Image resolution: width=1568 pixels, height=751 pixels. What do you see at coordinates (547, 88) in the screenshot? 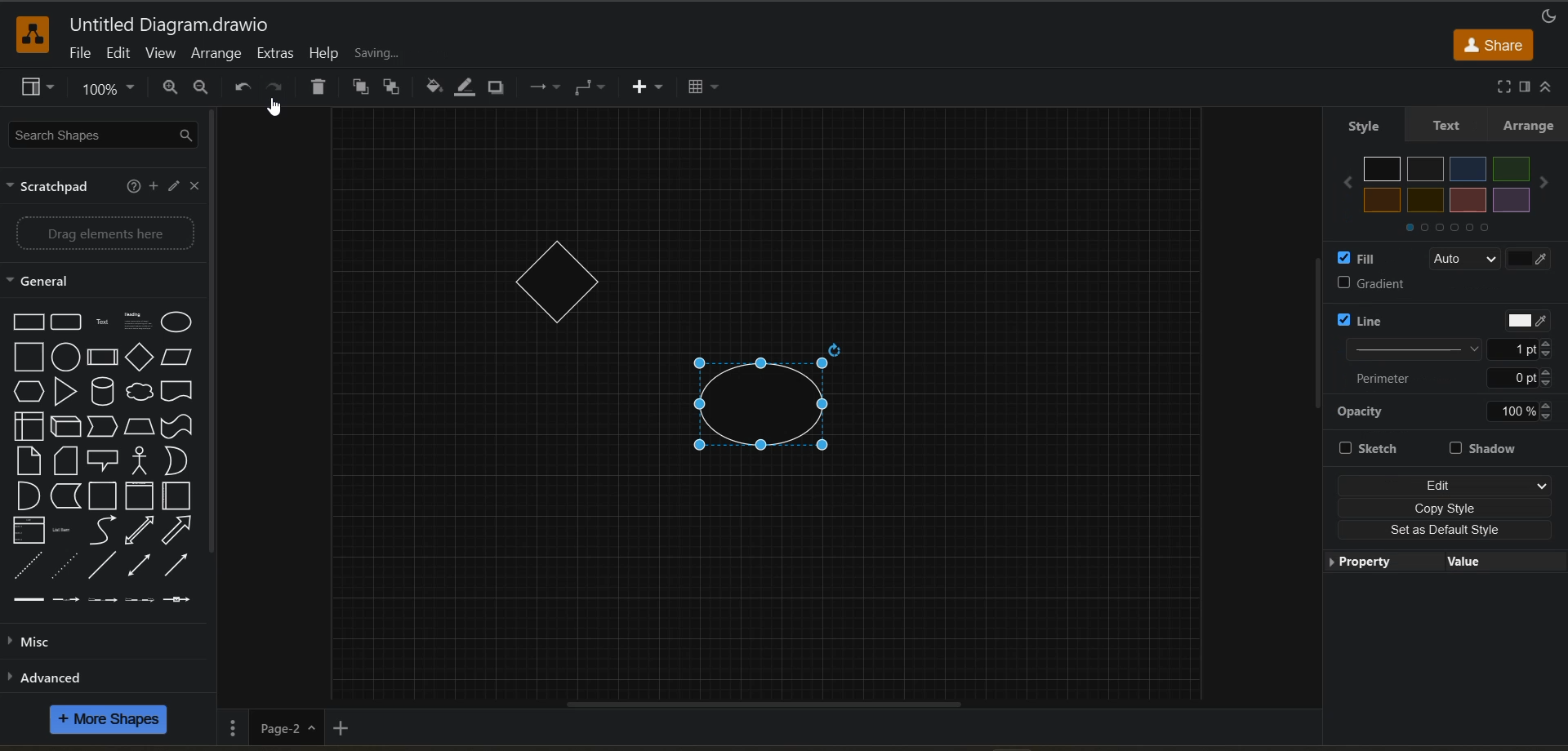
I see `connections` at bounding box center [547, 88].